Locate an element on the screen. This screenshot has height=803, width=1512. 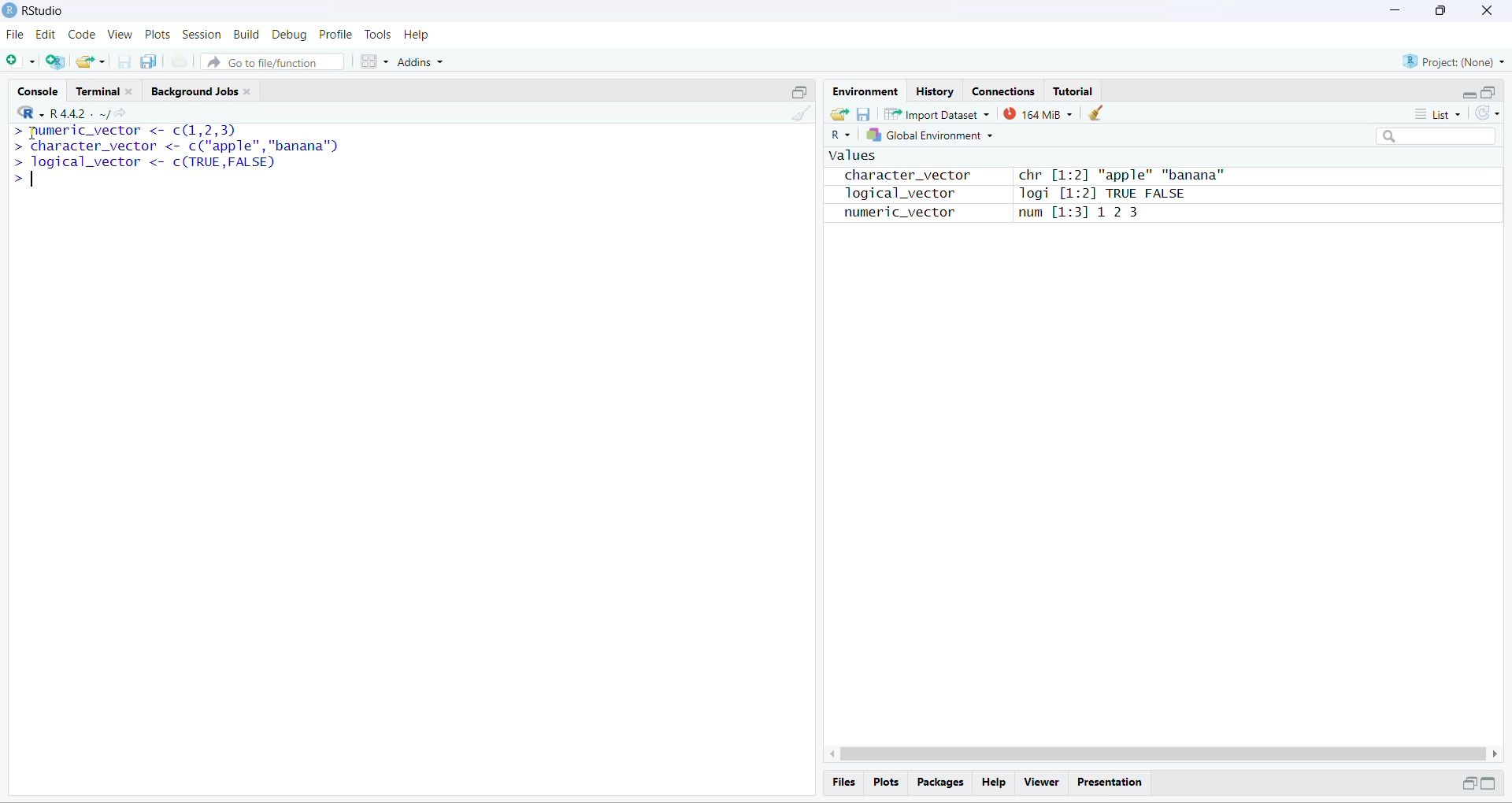
logical_vector <- c(TRUE,FALSED is located at coordinates (143, 162).